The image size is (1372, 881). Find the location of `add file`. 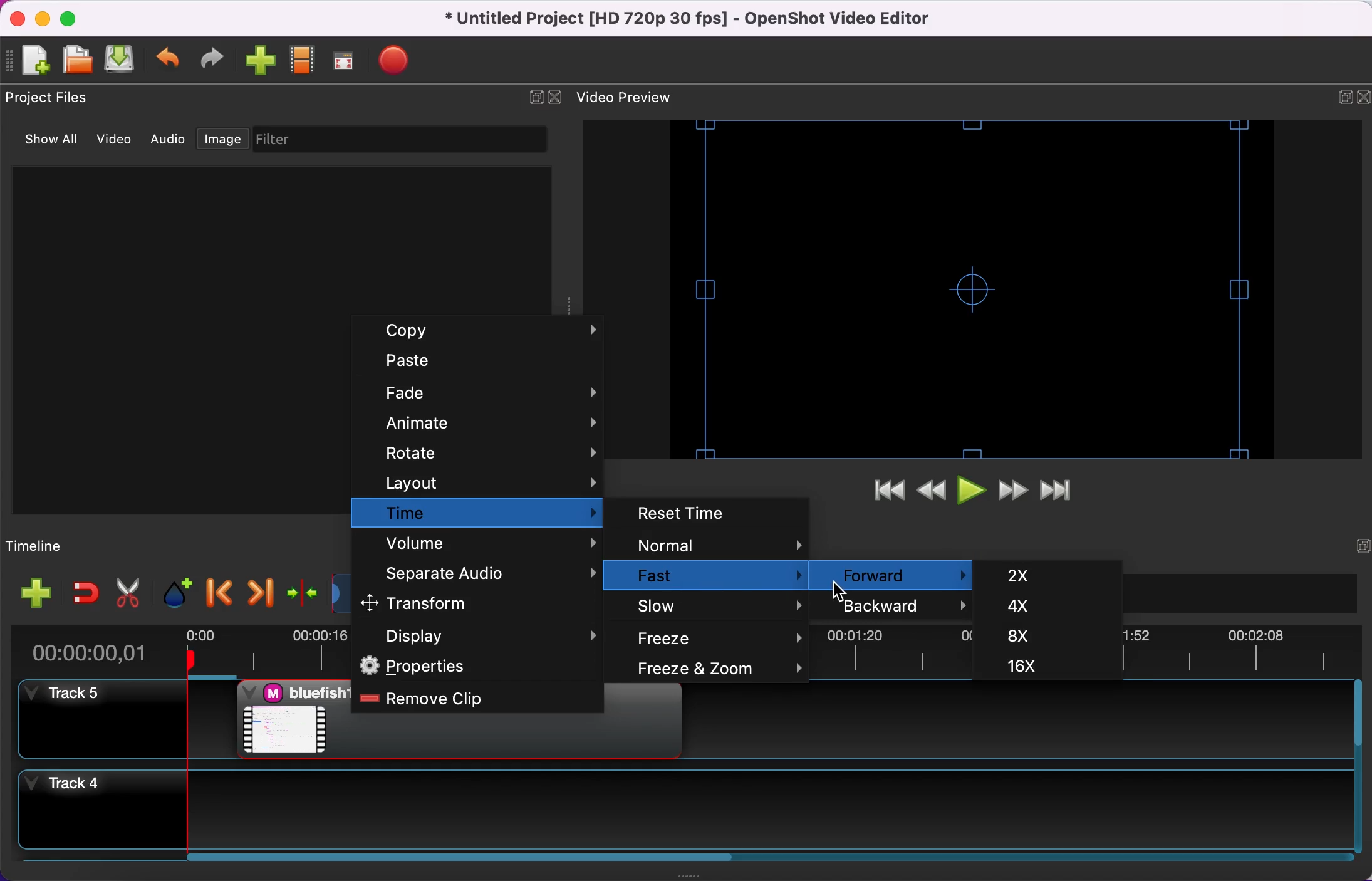

add file is located at coordinates (33, 61).